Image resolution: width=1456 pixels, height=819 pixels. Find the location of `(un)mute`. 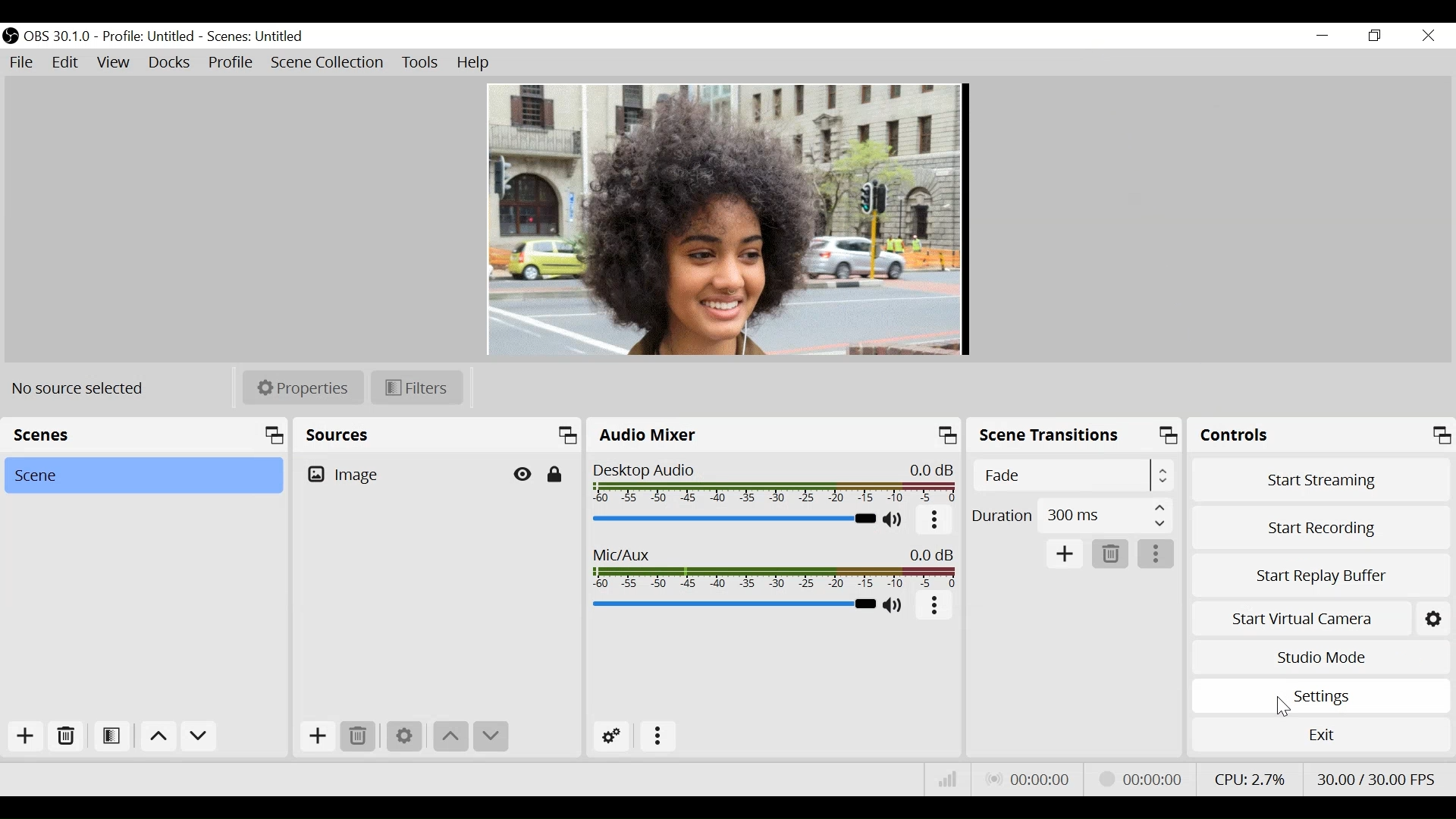

(un)mute is located at coordinates (893, 520).